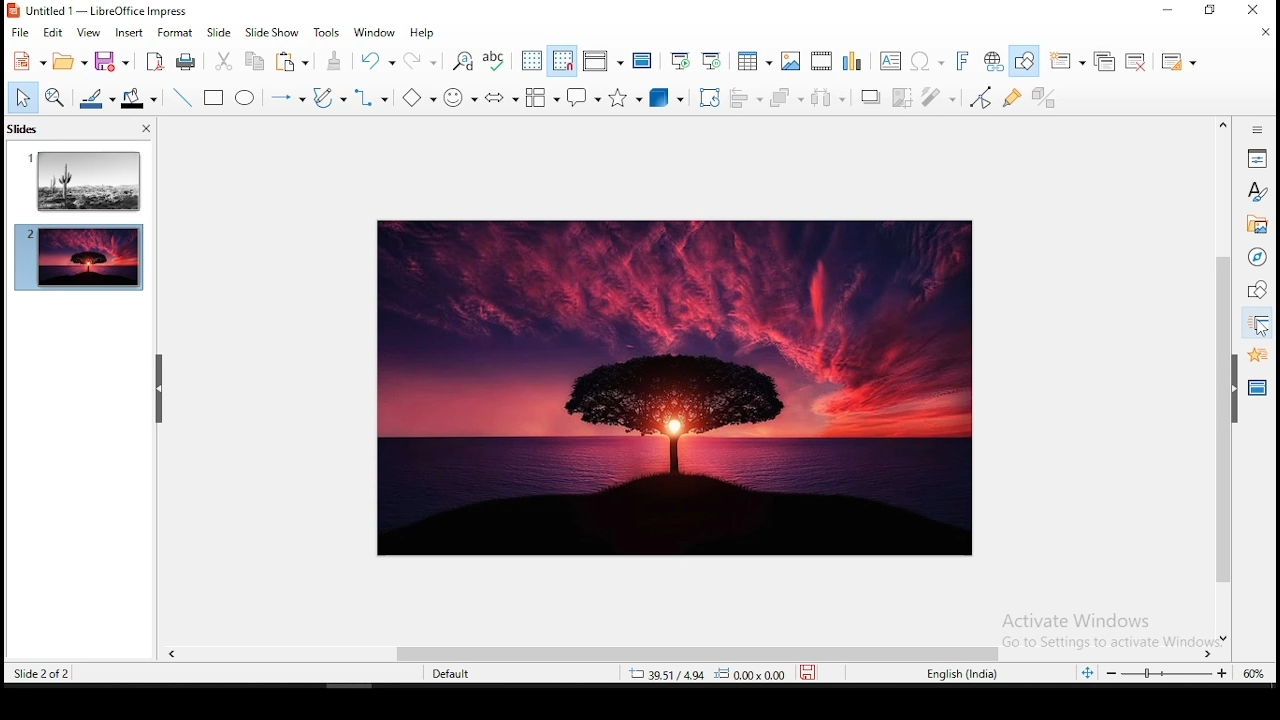 The image size is (1280, 720). Describe the element at coordinates (643, 58) in the screenshot. I see `master slide` at that location.